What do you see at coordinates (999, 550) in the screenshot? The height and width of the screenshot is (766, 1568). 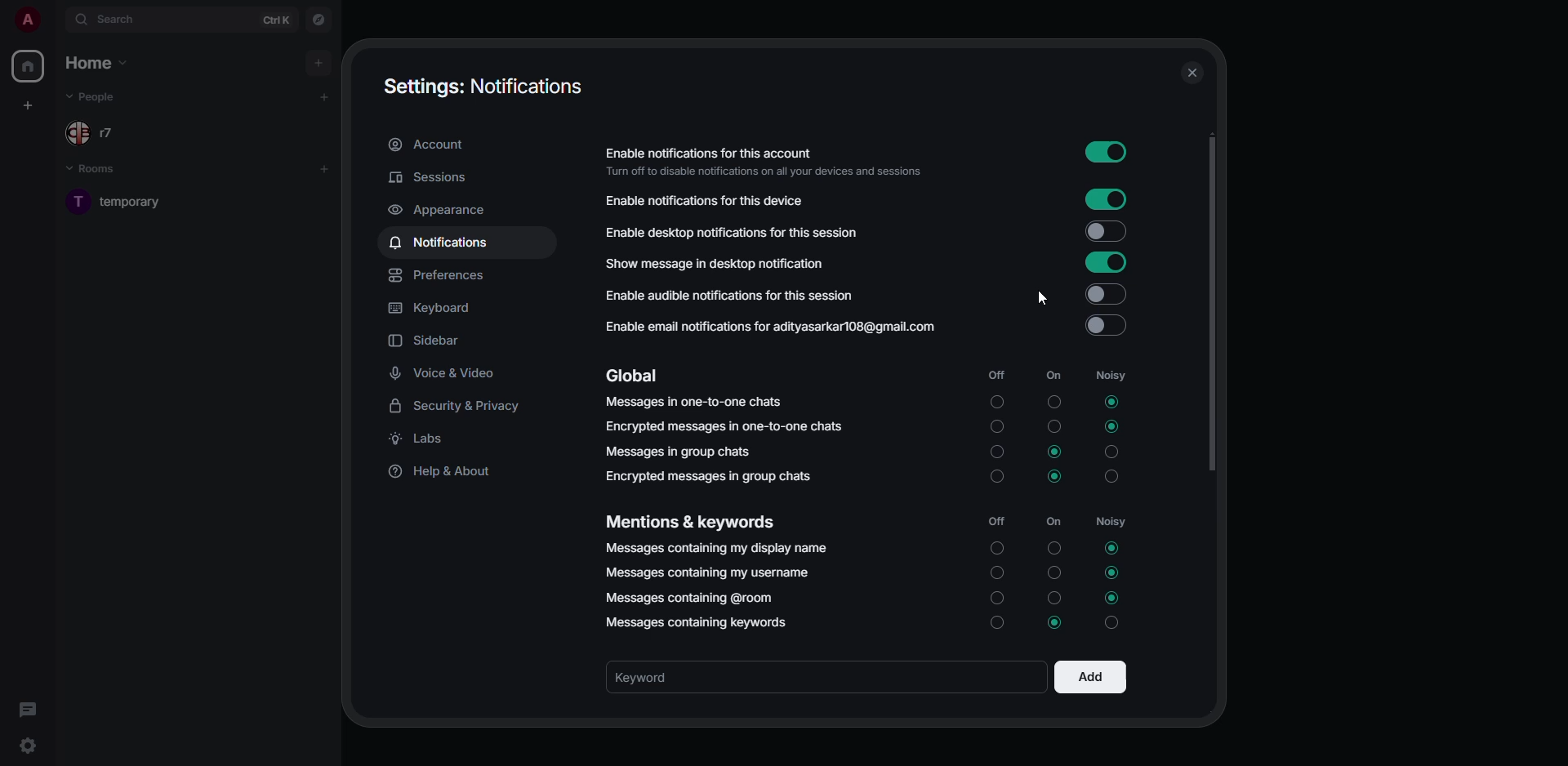 I see `Off Unselected` at bounding box center [999, 550].